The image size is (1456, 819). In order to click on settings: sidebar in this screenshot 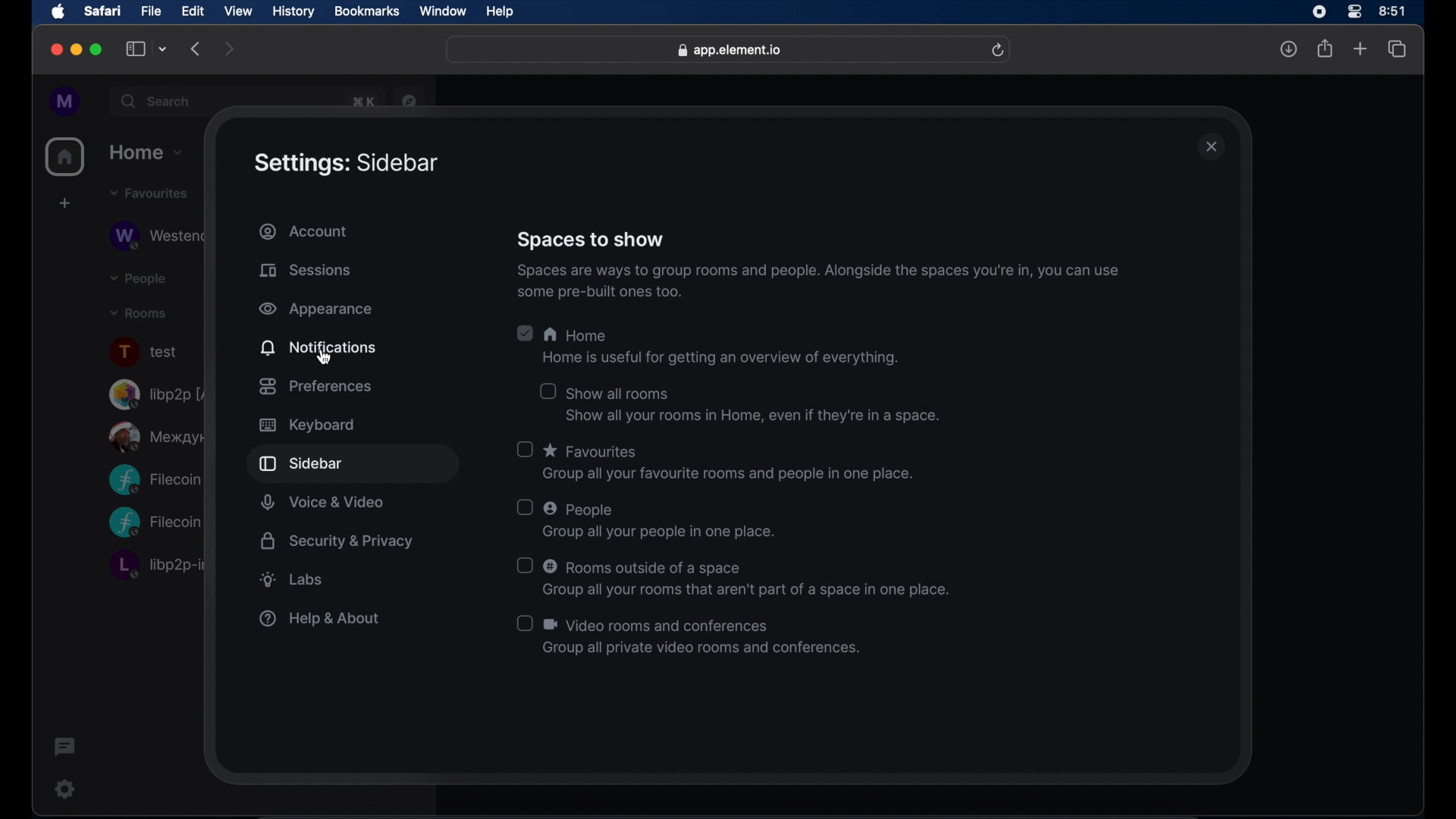, I will do `click(347, 165)`.